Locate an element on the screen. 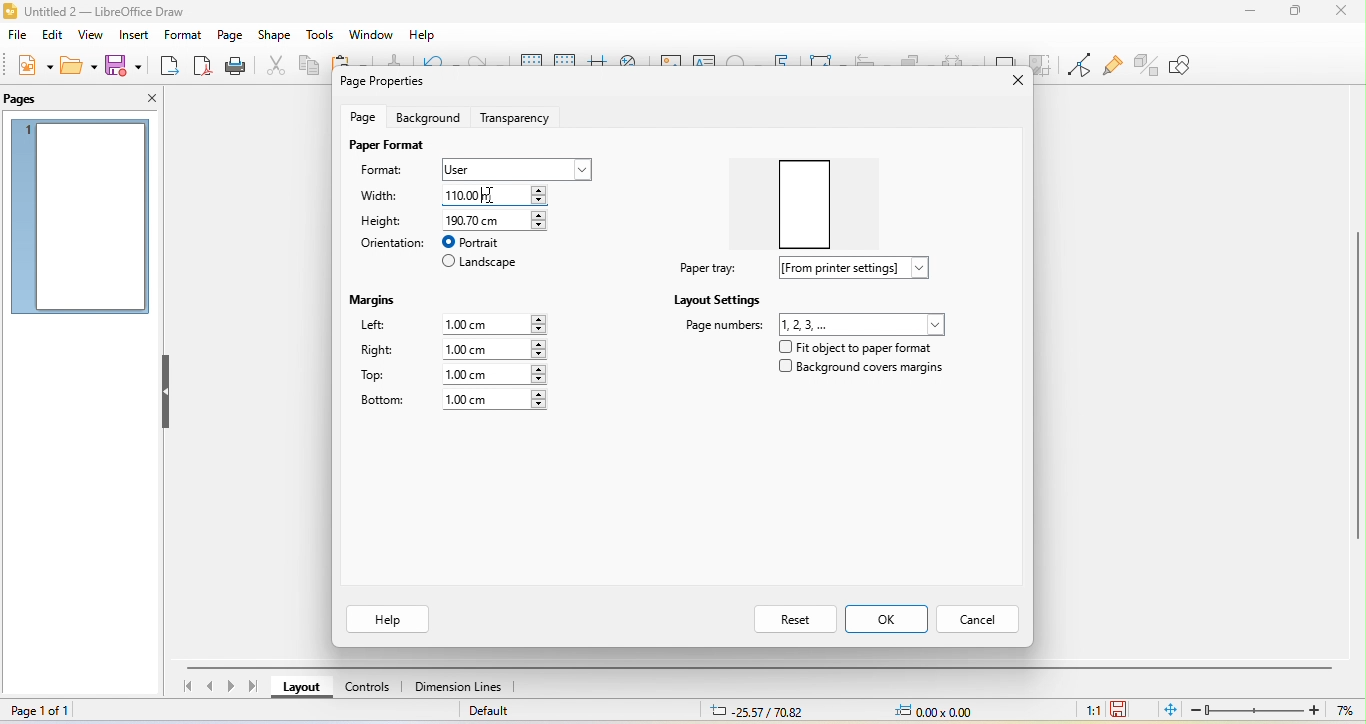 The image size is (1366, 724). next page is located at coordinates (234, 687).